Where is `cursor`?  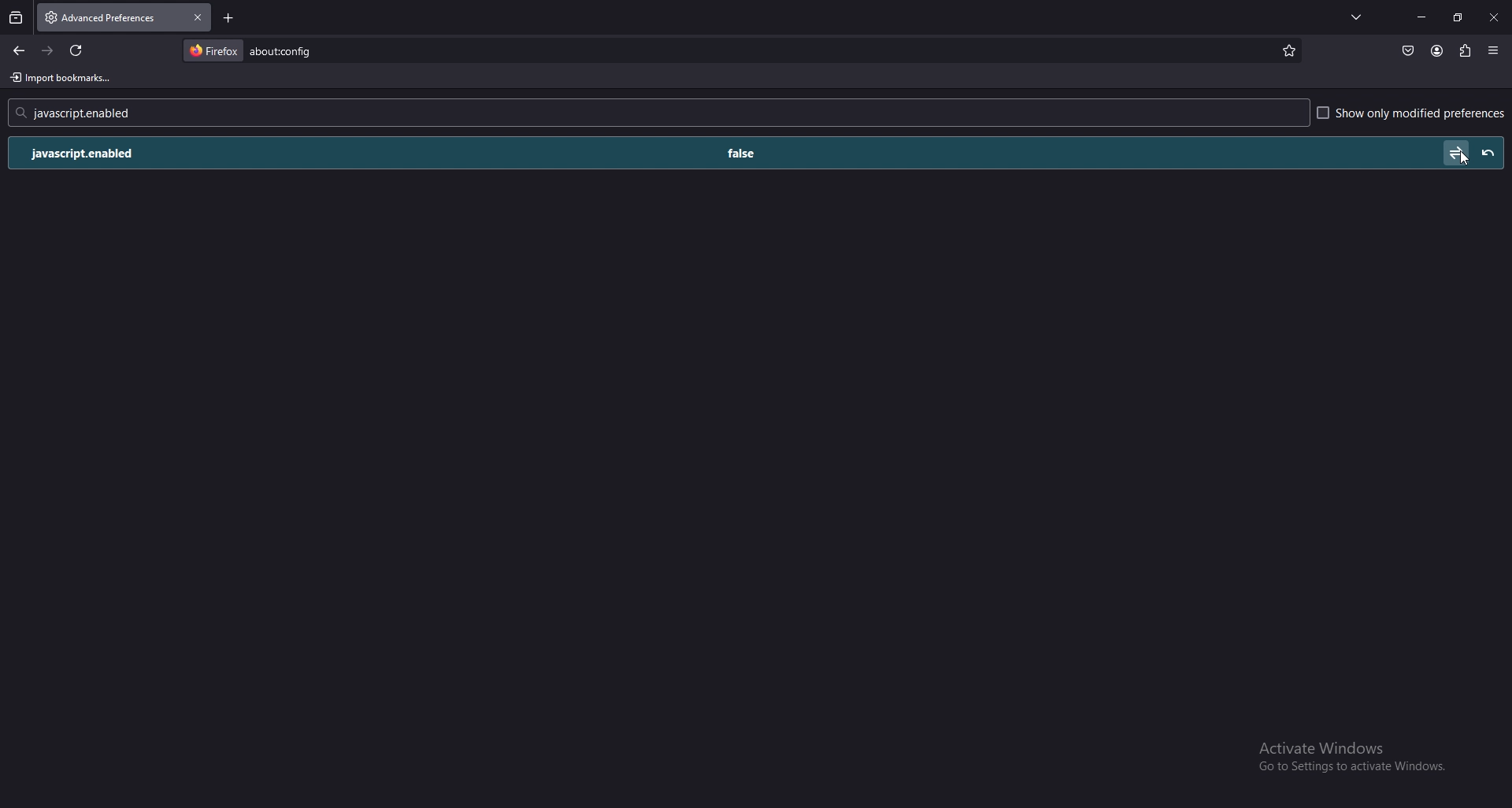 cursor is located at coordinates (1463, 161).